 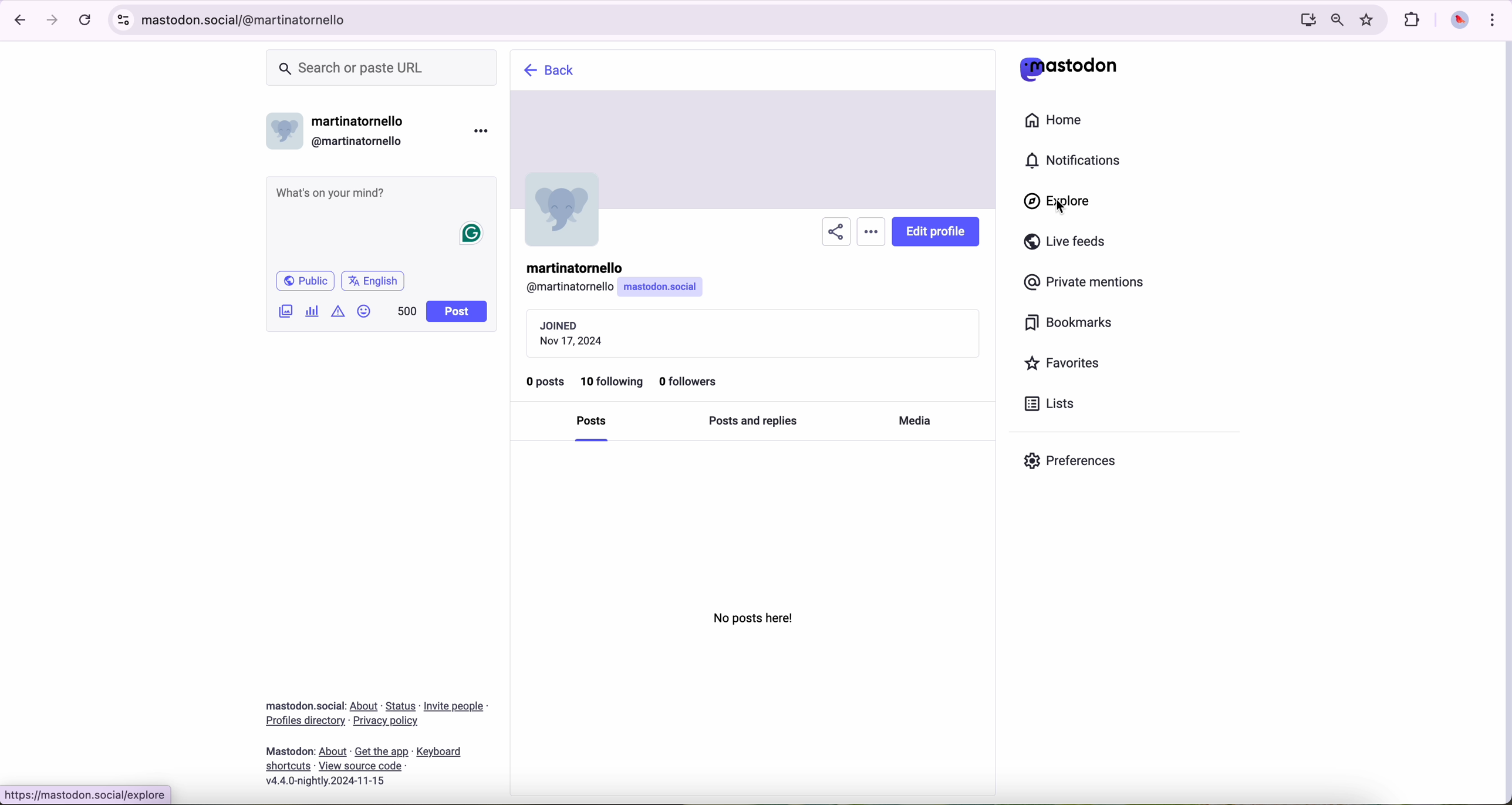 I want to click on search bar, so click(x=384, y=68).